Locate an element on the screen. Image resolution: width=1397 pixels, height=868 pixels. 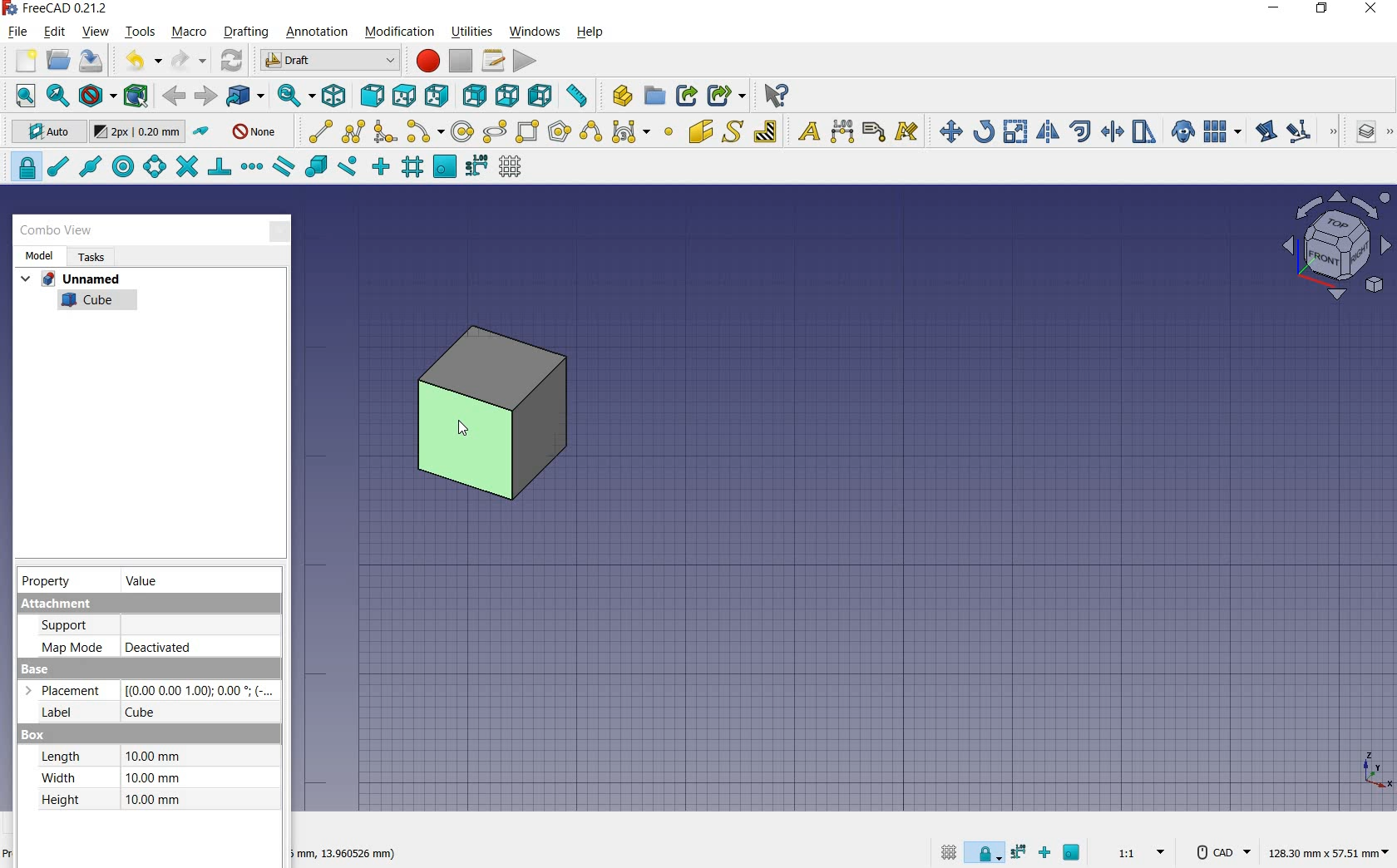
fillet is located at coordinates (384, 131).